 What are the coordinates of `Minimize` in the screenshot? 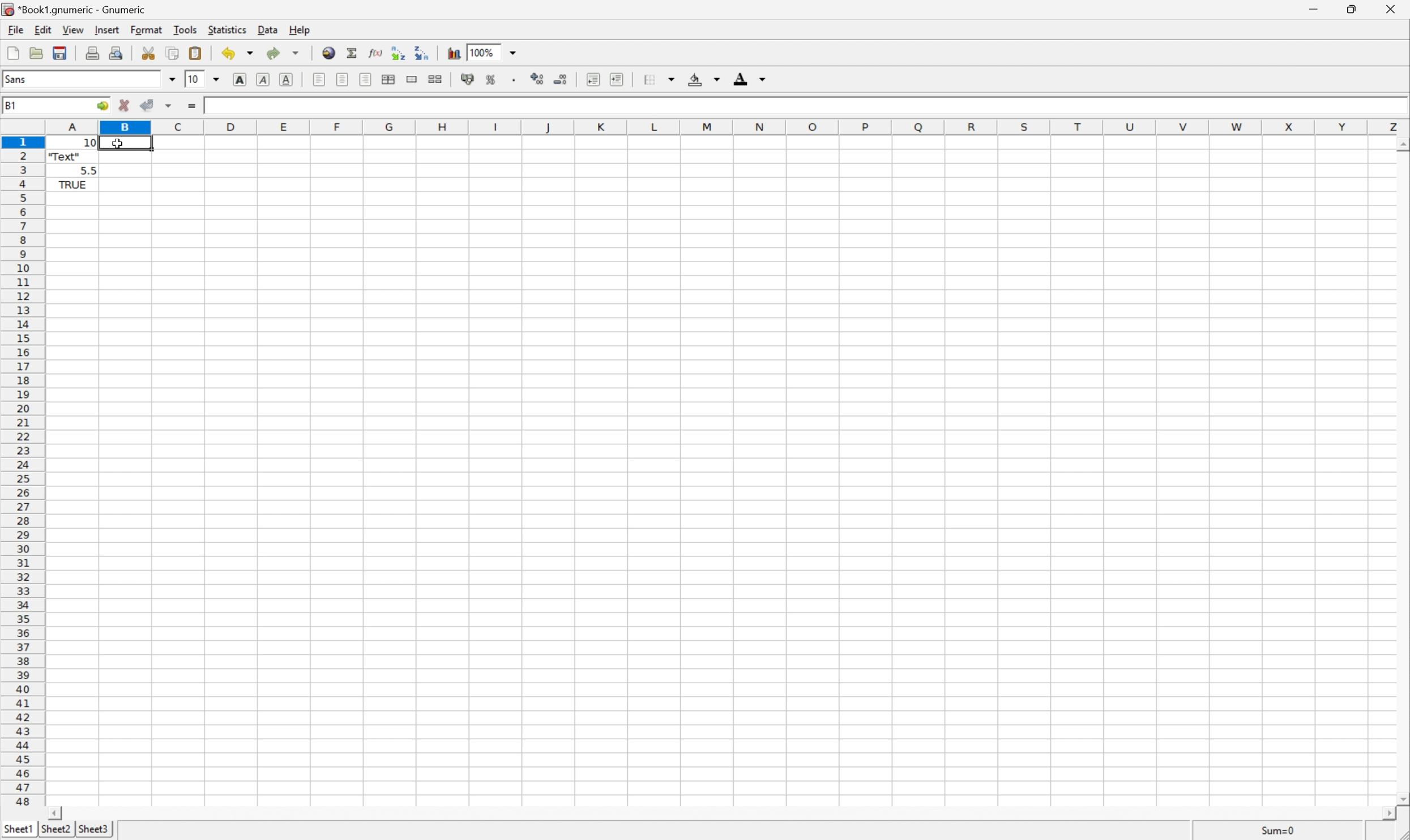 It's located at (1315, 8).